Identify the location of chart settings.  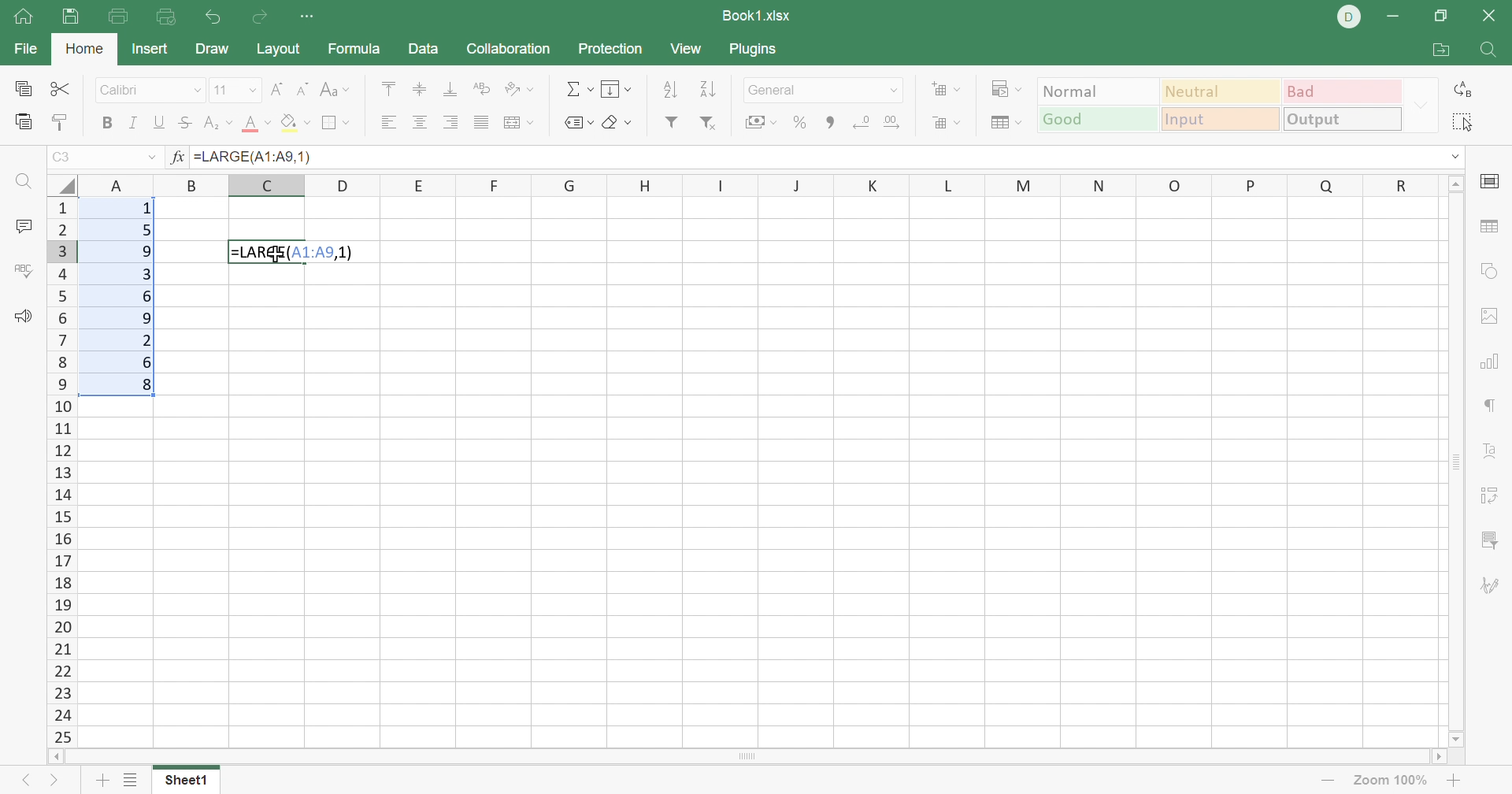
(1491, 363).